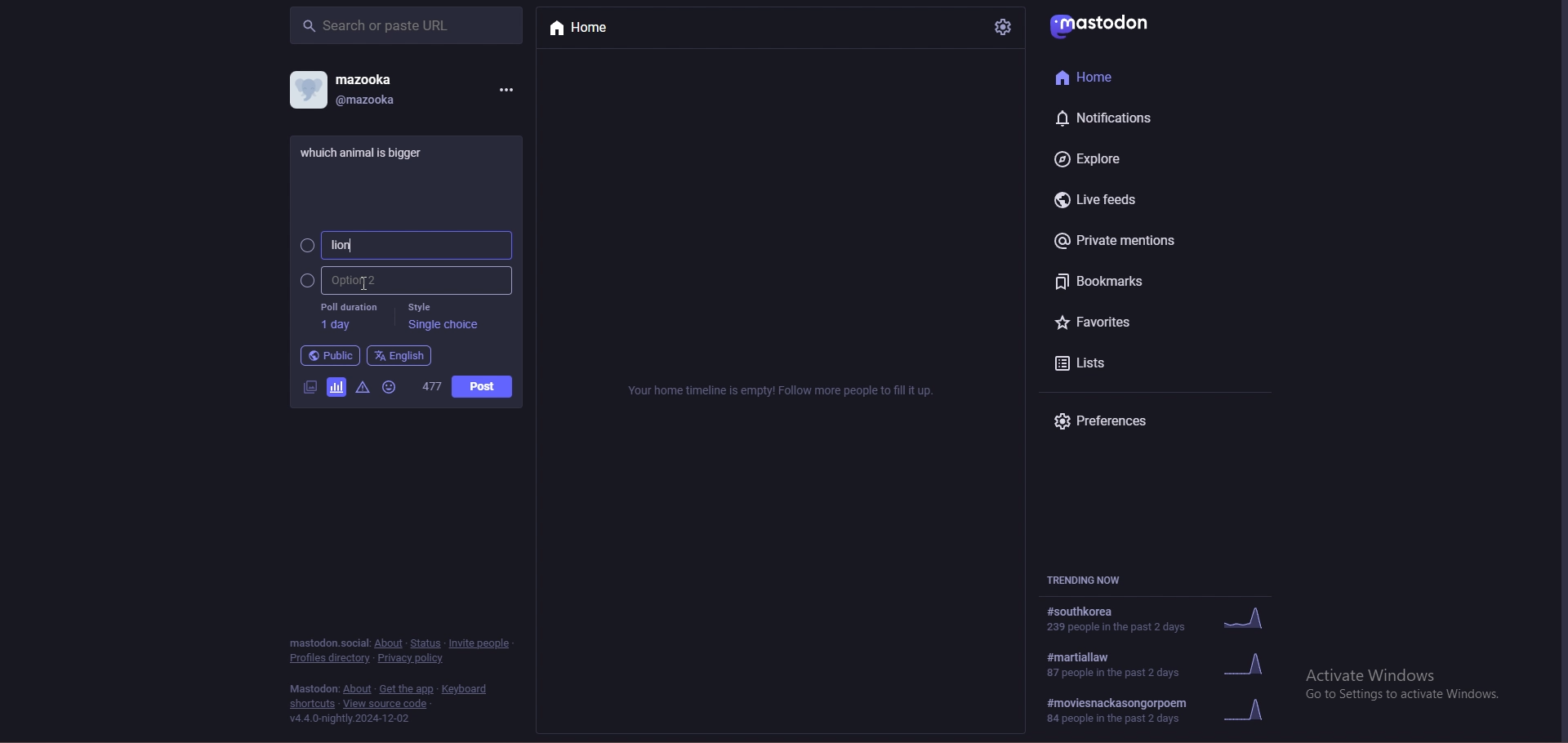  What do you see at coordinates (313, 704) in the screenshot?
I see `shortcuts` at bounding box center [313, 704].